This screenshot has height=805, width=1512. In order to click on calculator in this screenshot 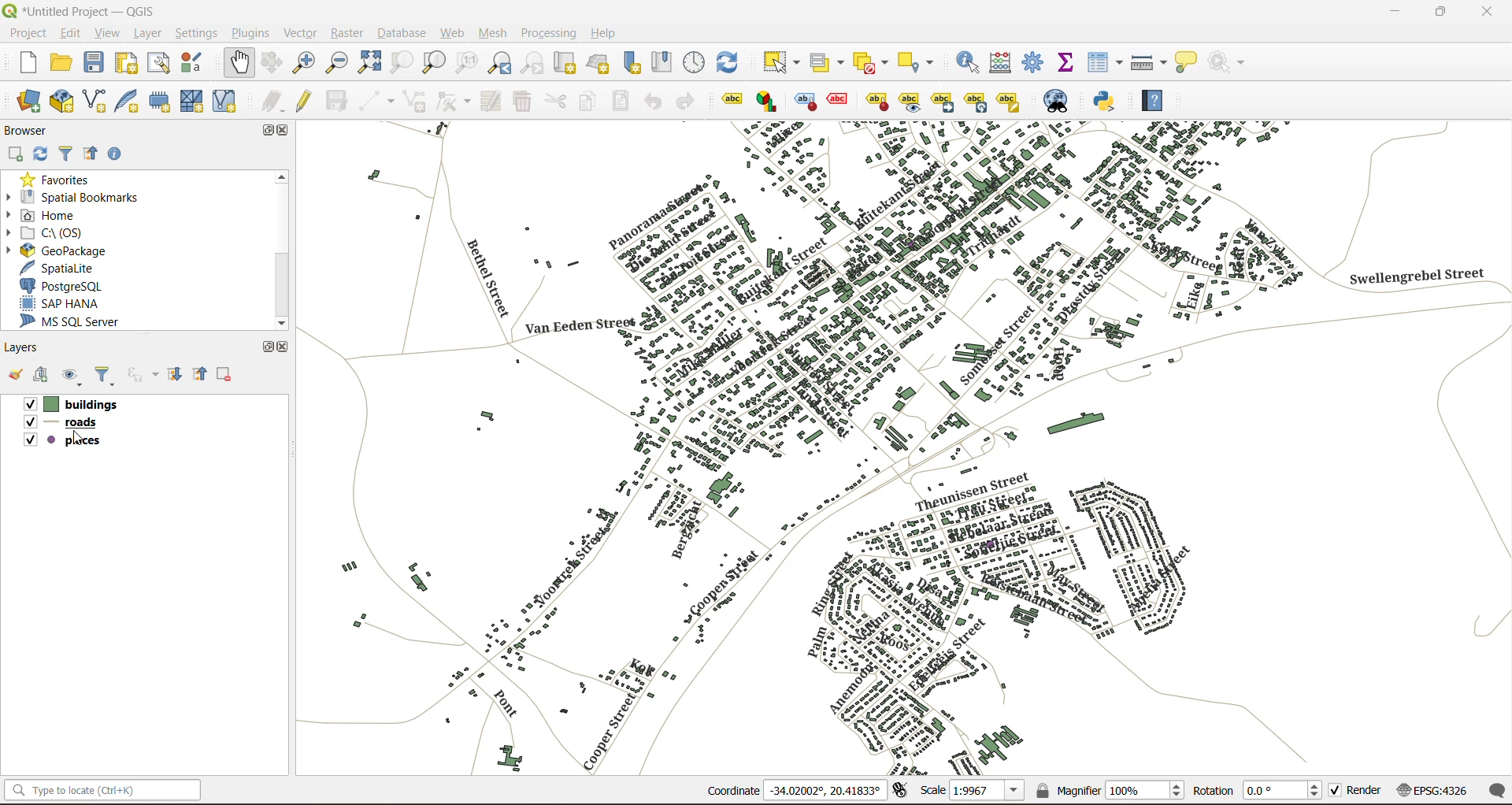, I will do `click(1002, 64)`.